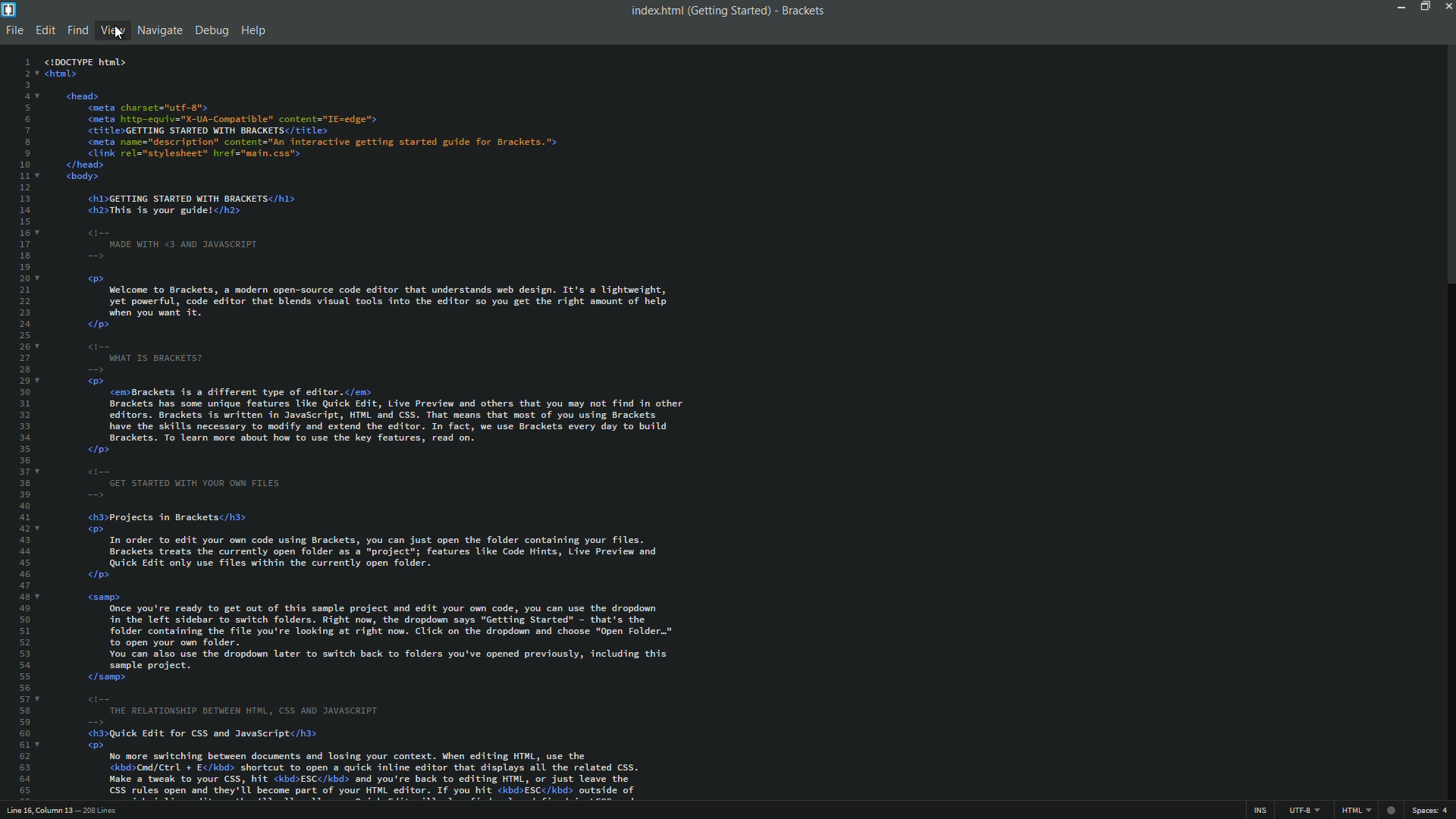  Describe the element at coordinates (1432, 811) in the screenshot. I see `spaces` at that location.